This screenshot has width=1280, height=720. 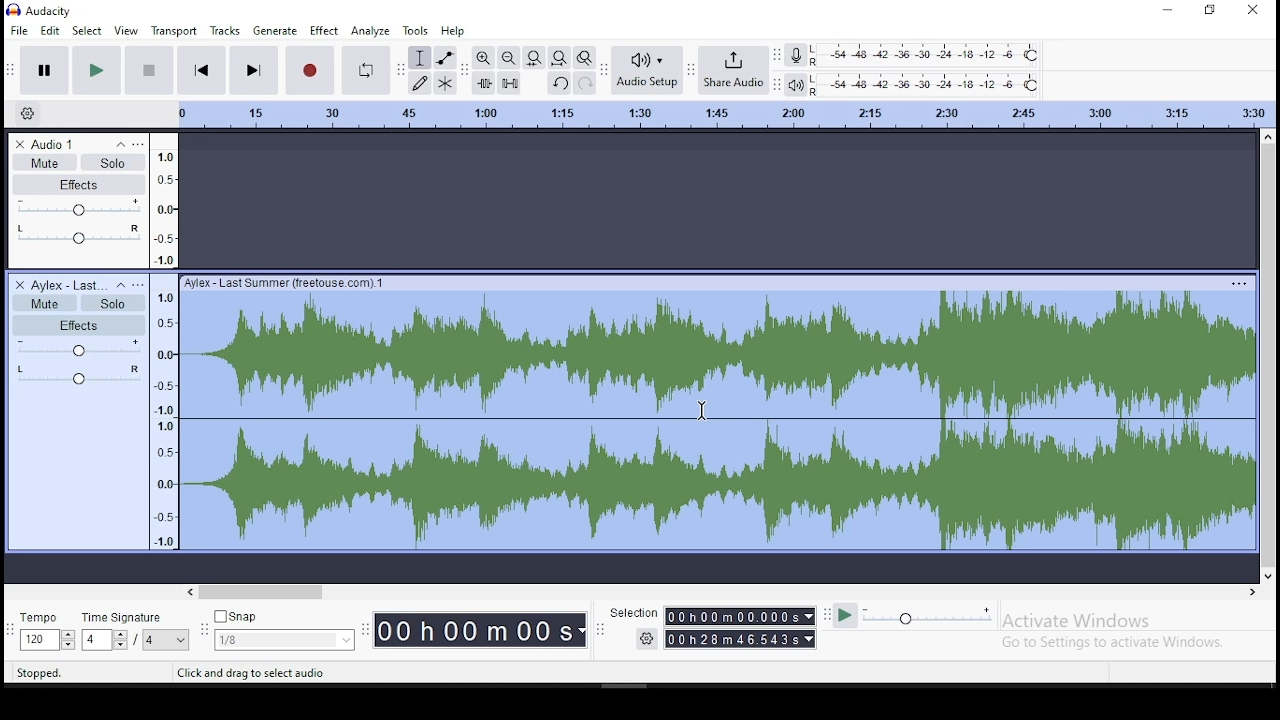 I want to click on audio track, so click(x=717, y=415).